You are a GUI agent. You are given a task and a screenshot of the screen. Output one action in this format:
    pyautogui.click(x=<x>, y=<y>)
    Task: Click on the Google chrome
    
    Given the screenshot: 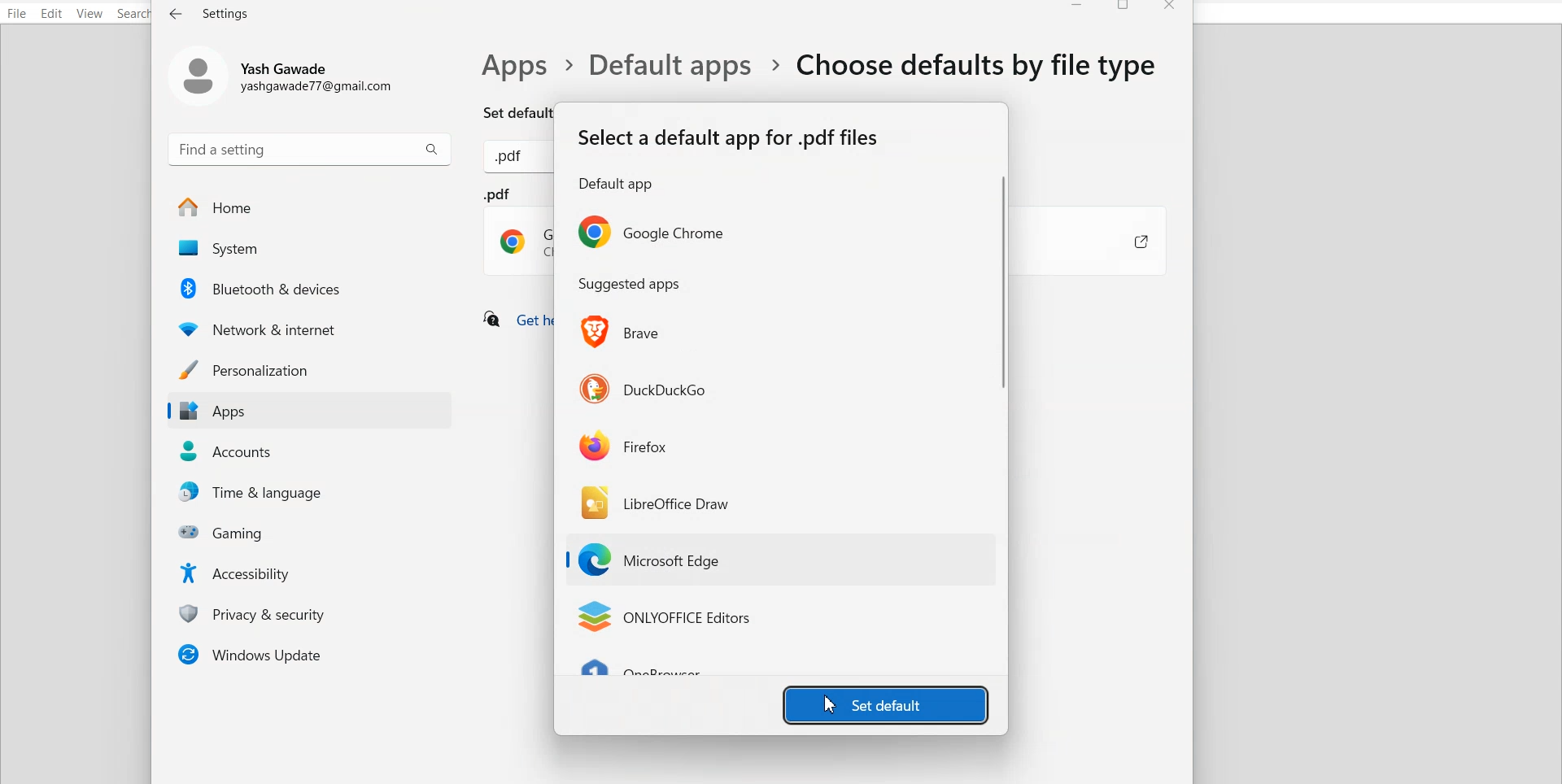 What is the action you would take?
    pyautogui.click(x=649, y=232)
    